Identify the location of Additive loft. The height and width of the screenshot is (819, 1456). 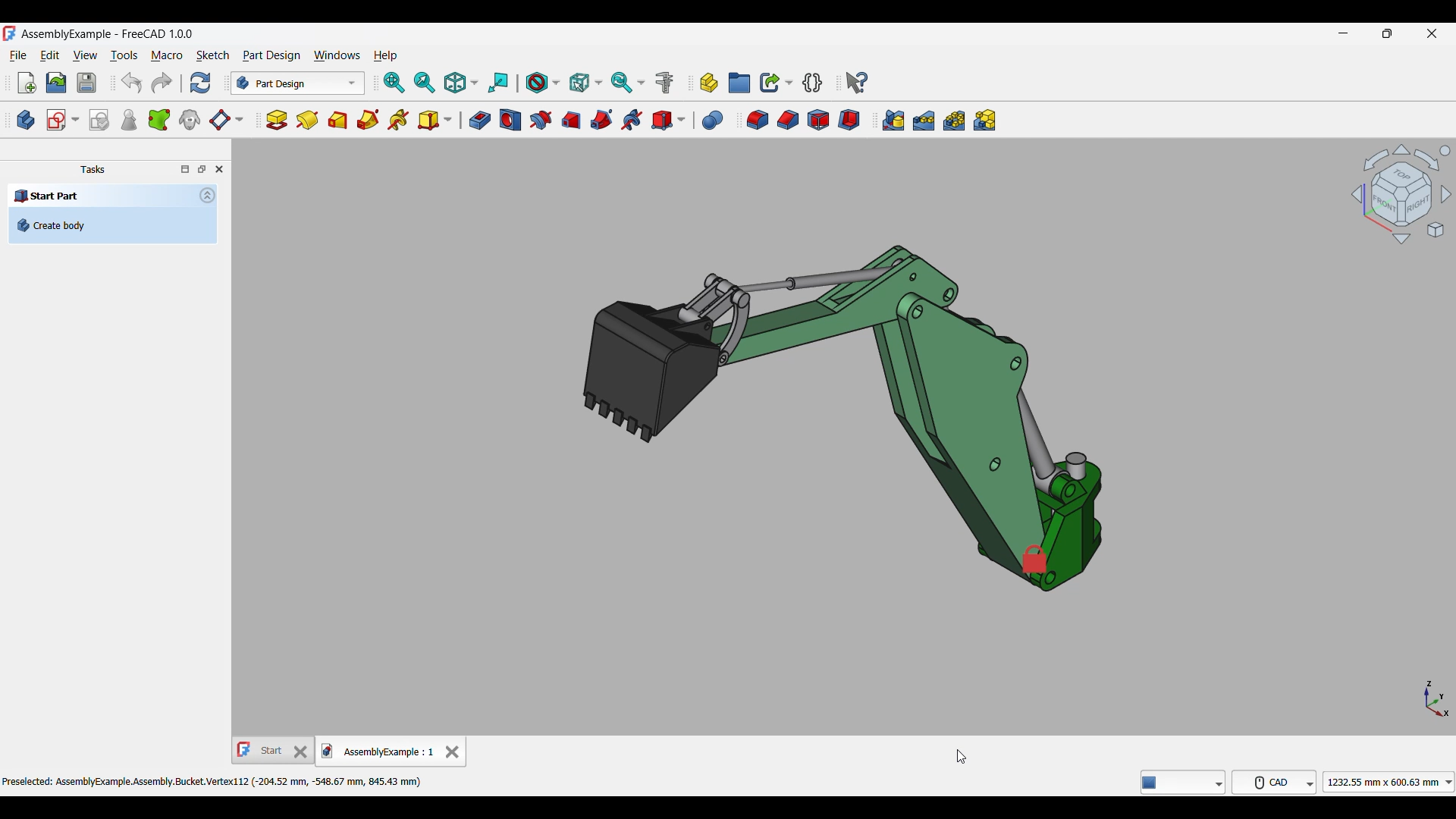
(338, 120).